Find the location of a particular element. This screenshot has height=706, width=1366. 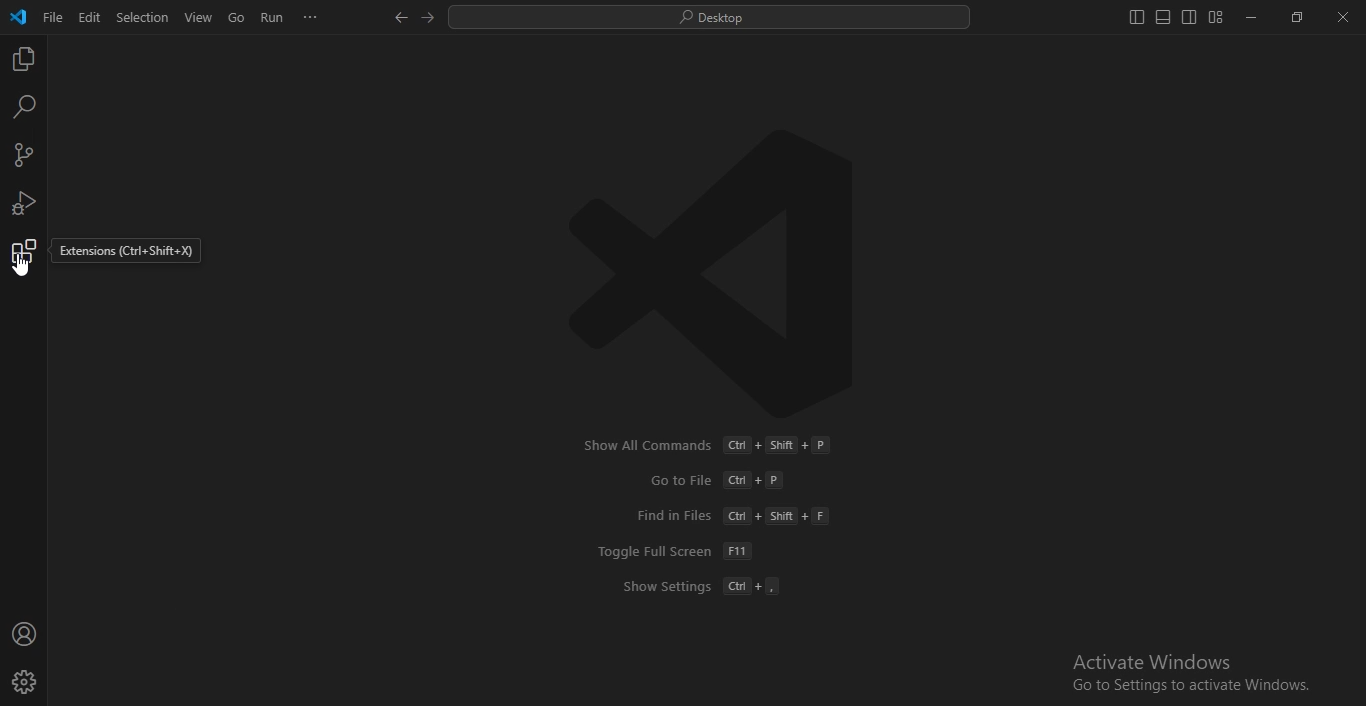

restore window is located at coordinates (1294, 19).